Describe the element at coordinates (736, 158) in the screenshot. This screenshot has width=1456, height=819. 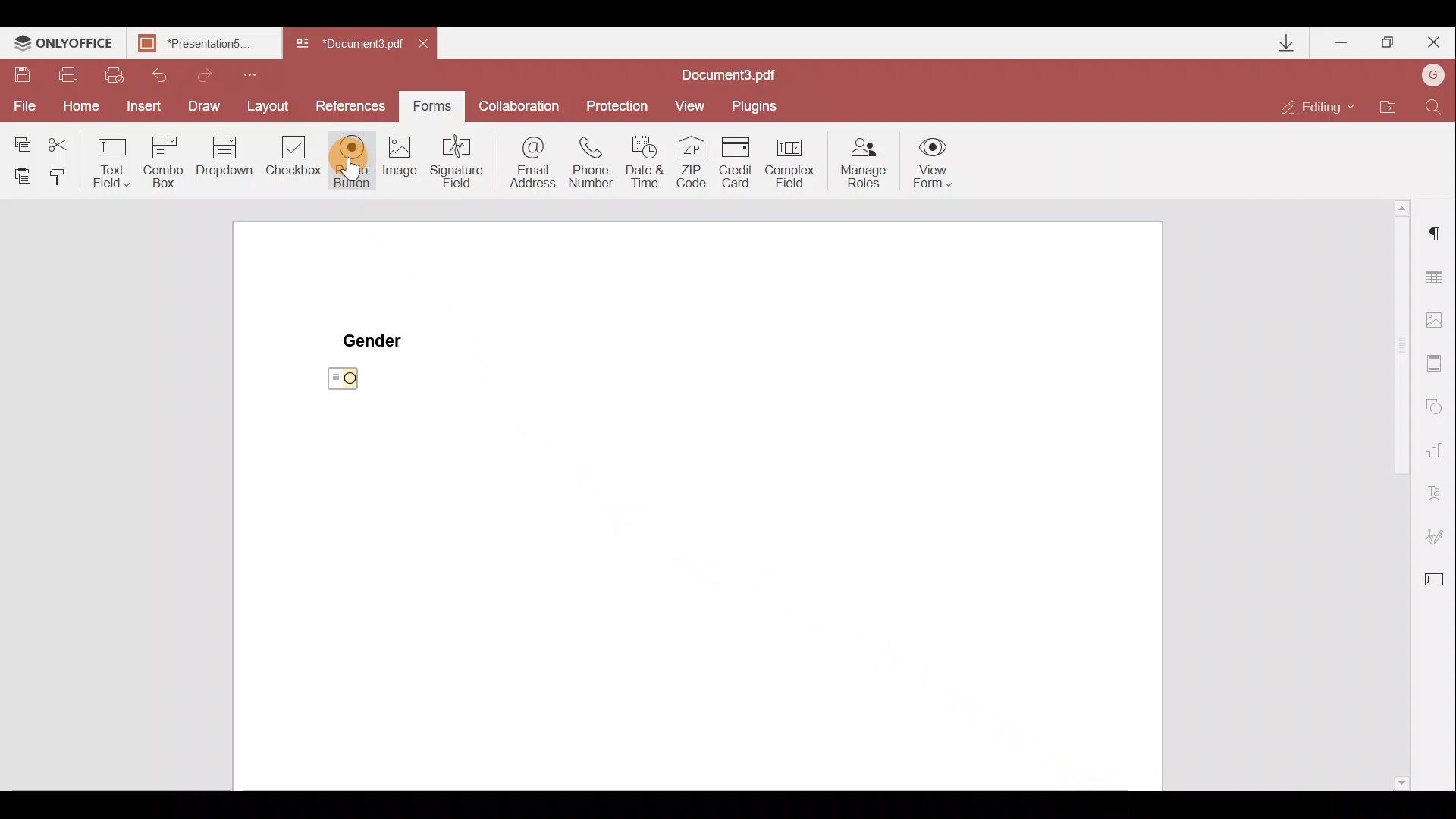
I see `Credit card` at that location.